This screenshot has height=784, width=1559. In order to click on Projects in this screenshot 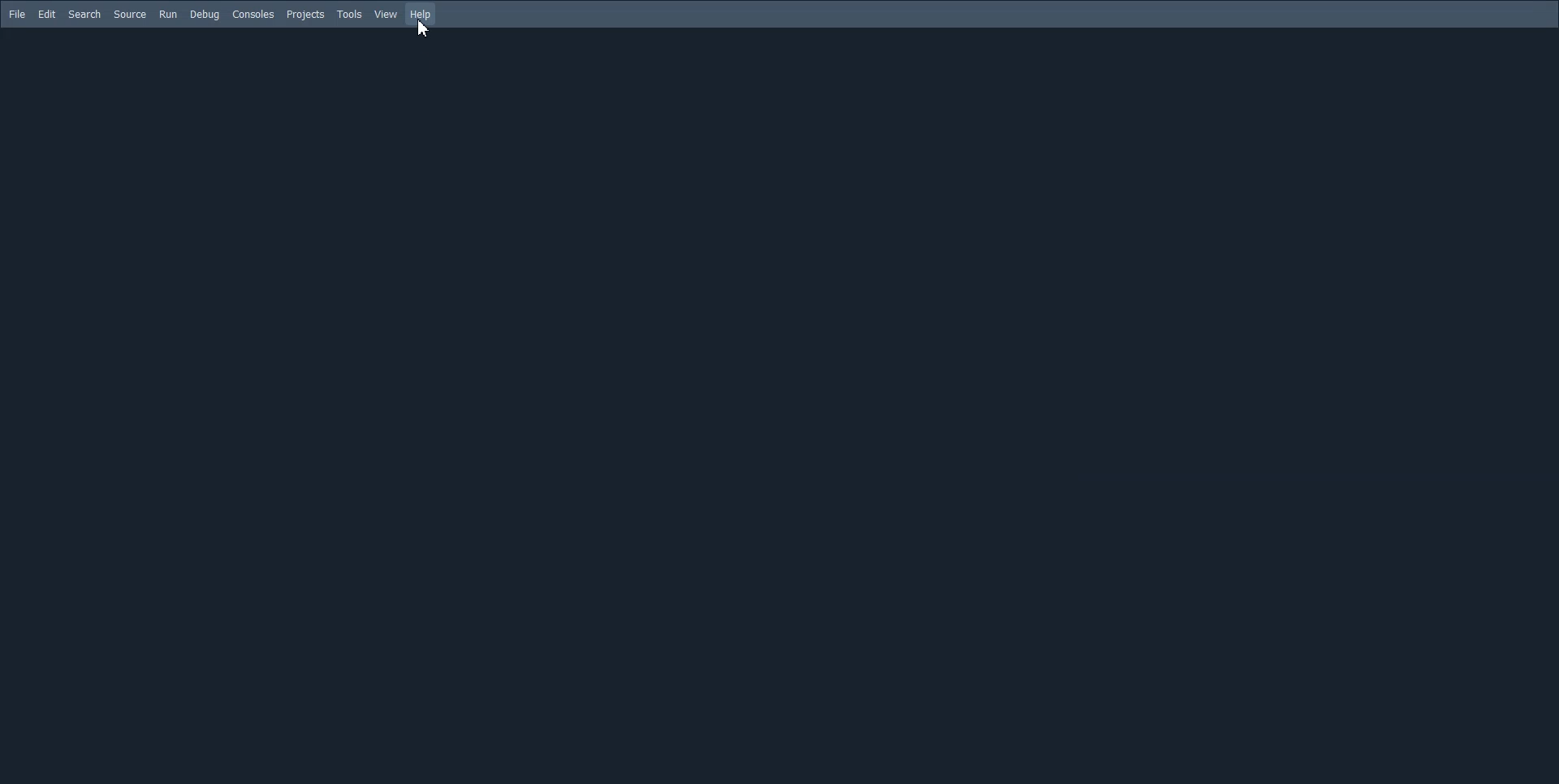, I will do `click(306, 15)`.